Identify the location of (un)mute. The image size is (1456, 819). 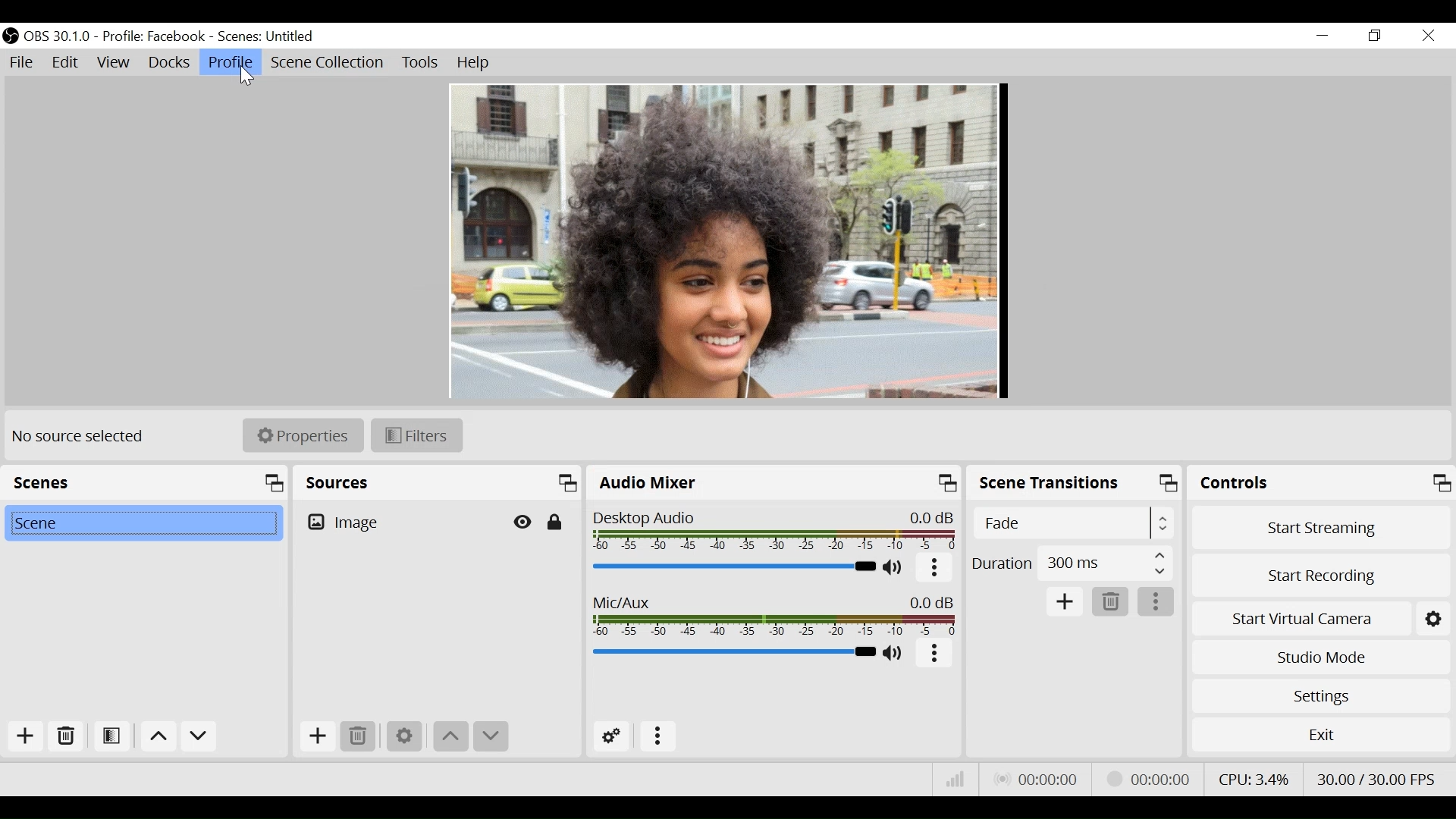
(895, 569).